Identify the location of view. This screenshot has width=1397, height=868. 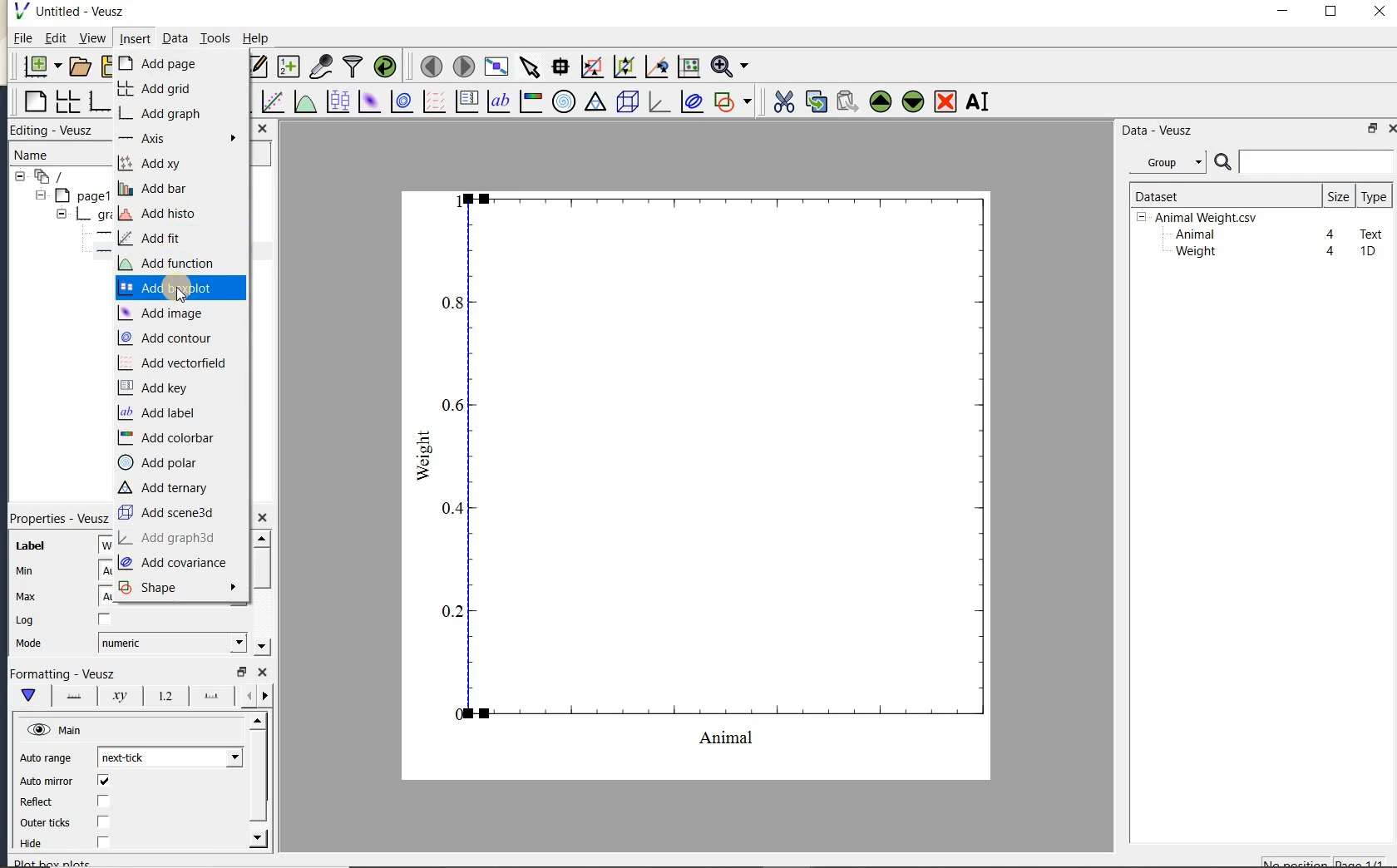
(91, 40).